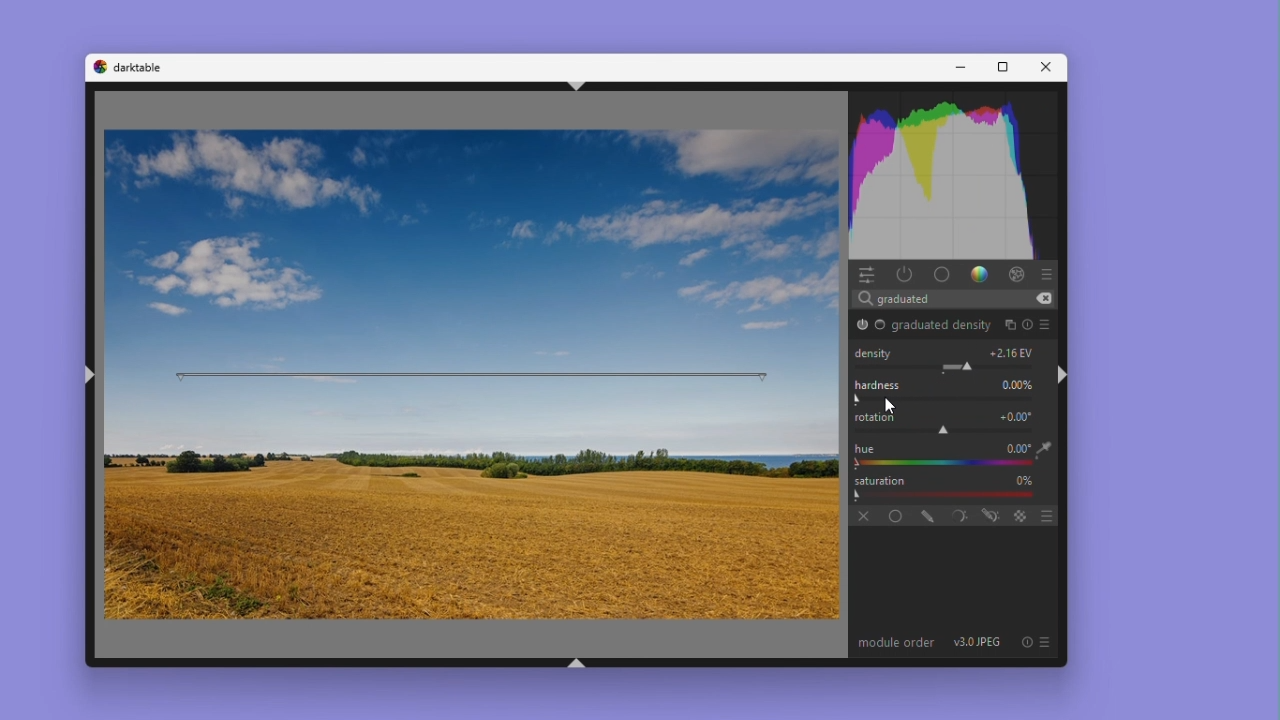 The image size is (1280, 720). What do you see at coordinates (1015, 448) in the screenshot?
I see `+0.00` at bounding box center [1015, 448].